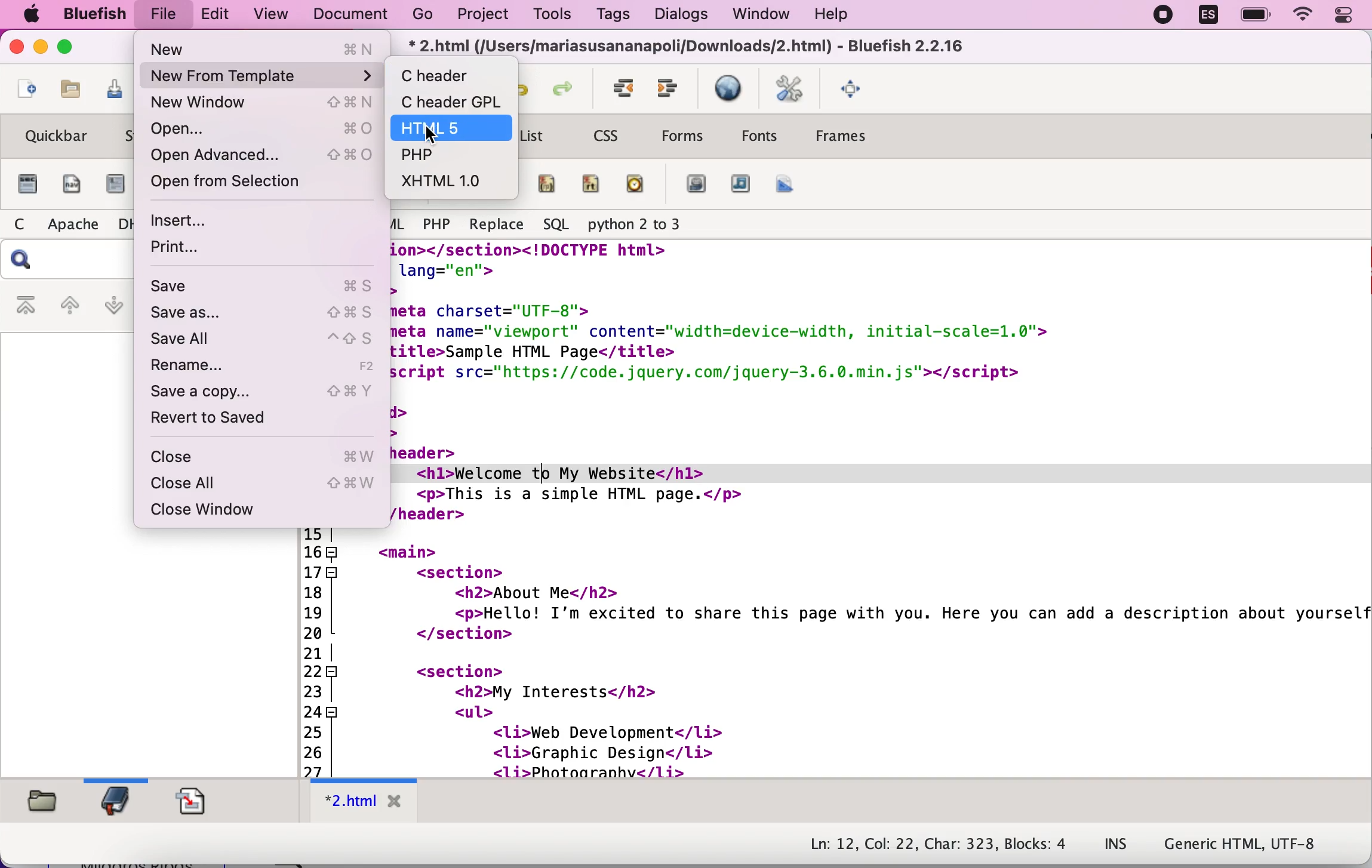 This screenshot has width=1372, height=868. What do you see at coordinates (118, 802) in the screenshot?
I see `bookmarks` at bounding box center [118, 802].